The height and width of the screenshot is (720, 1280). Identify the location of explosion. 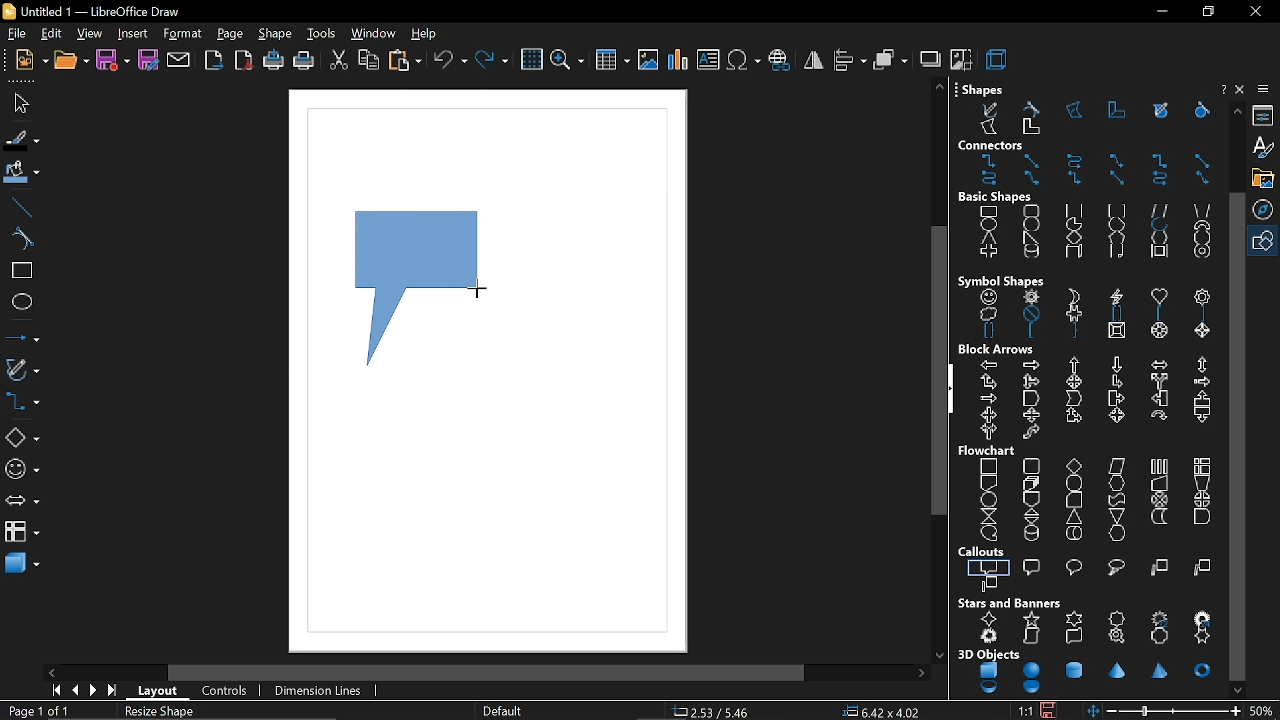
(990, 637).